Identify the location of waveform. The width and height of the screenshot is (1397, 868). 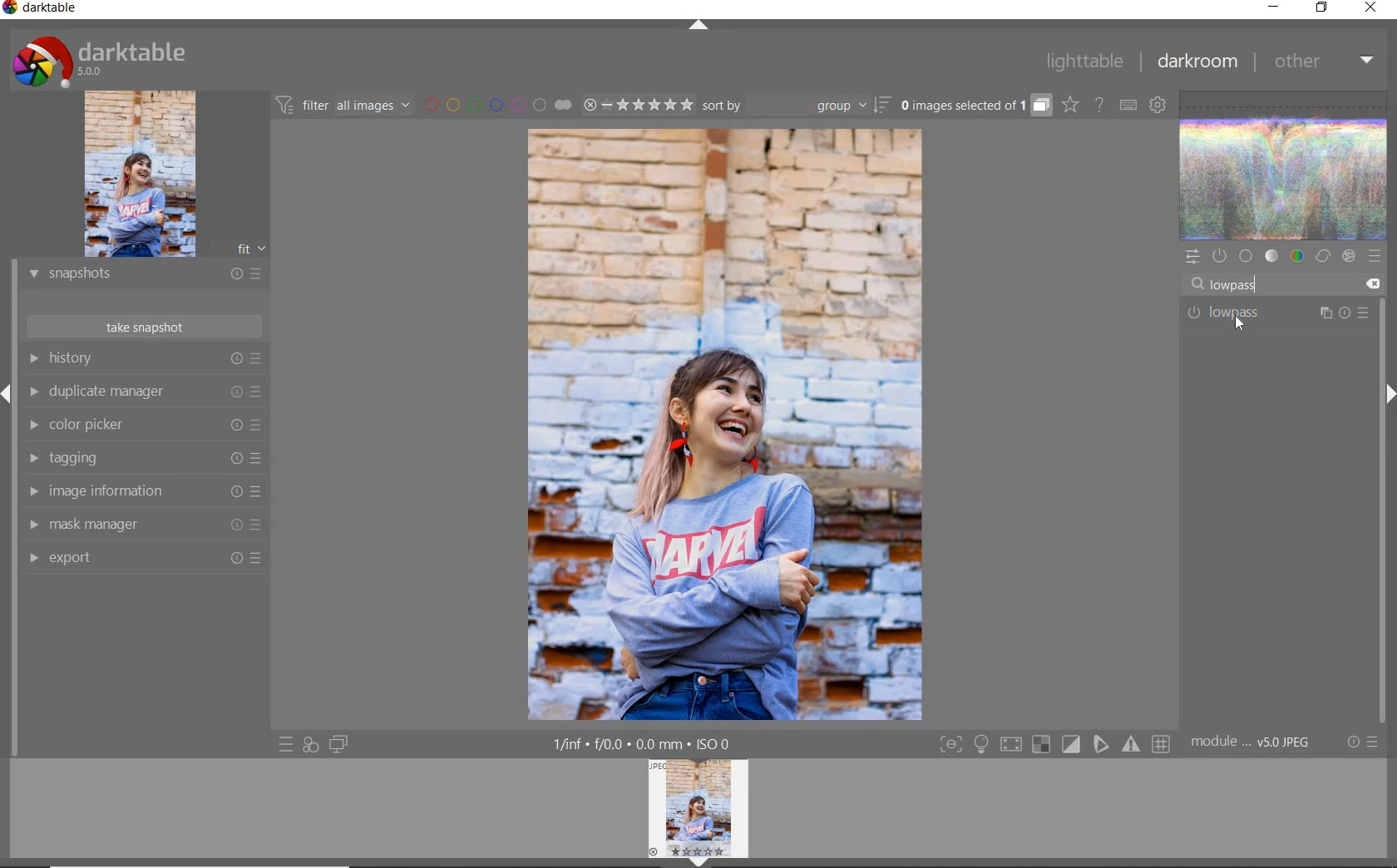
(1285, 164).